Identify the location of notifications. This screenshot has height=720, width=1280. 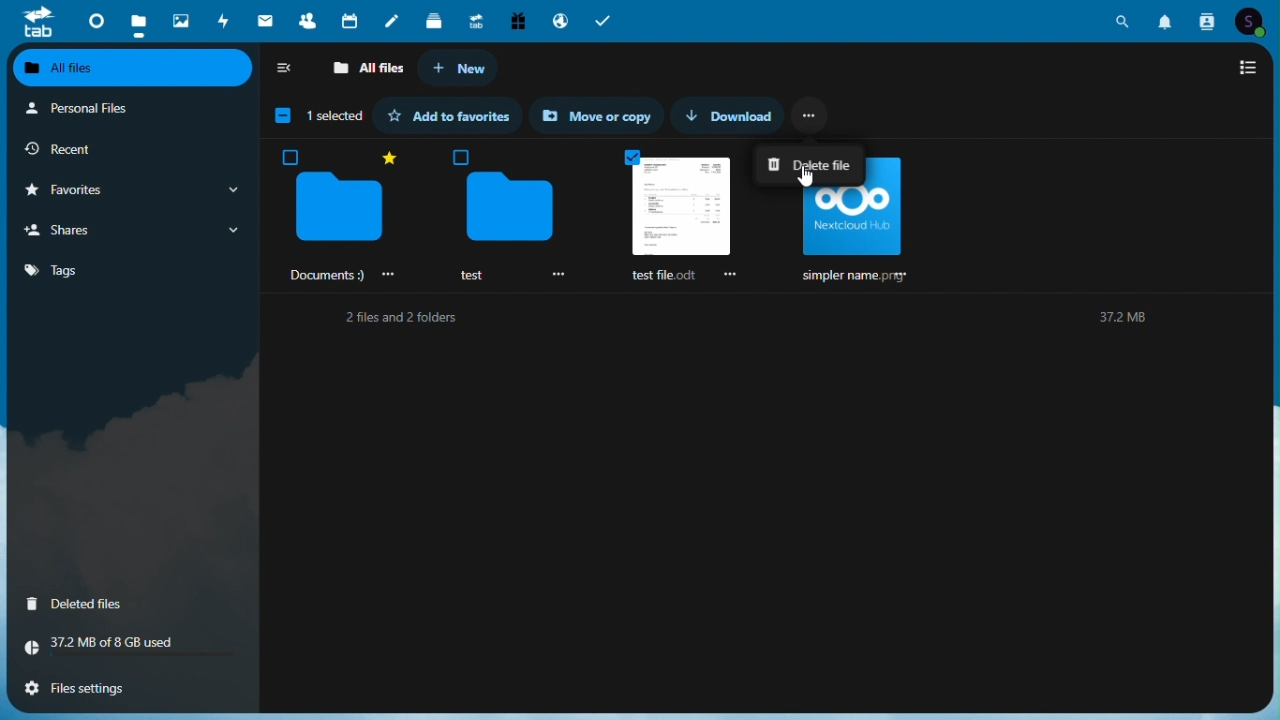
(1169, 19).